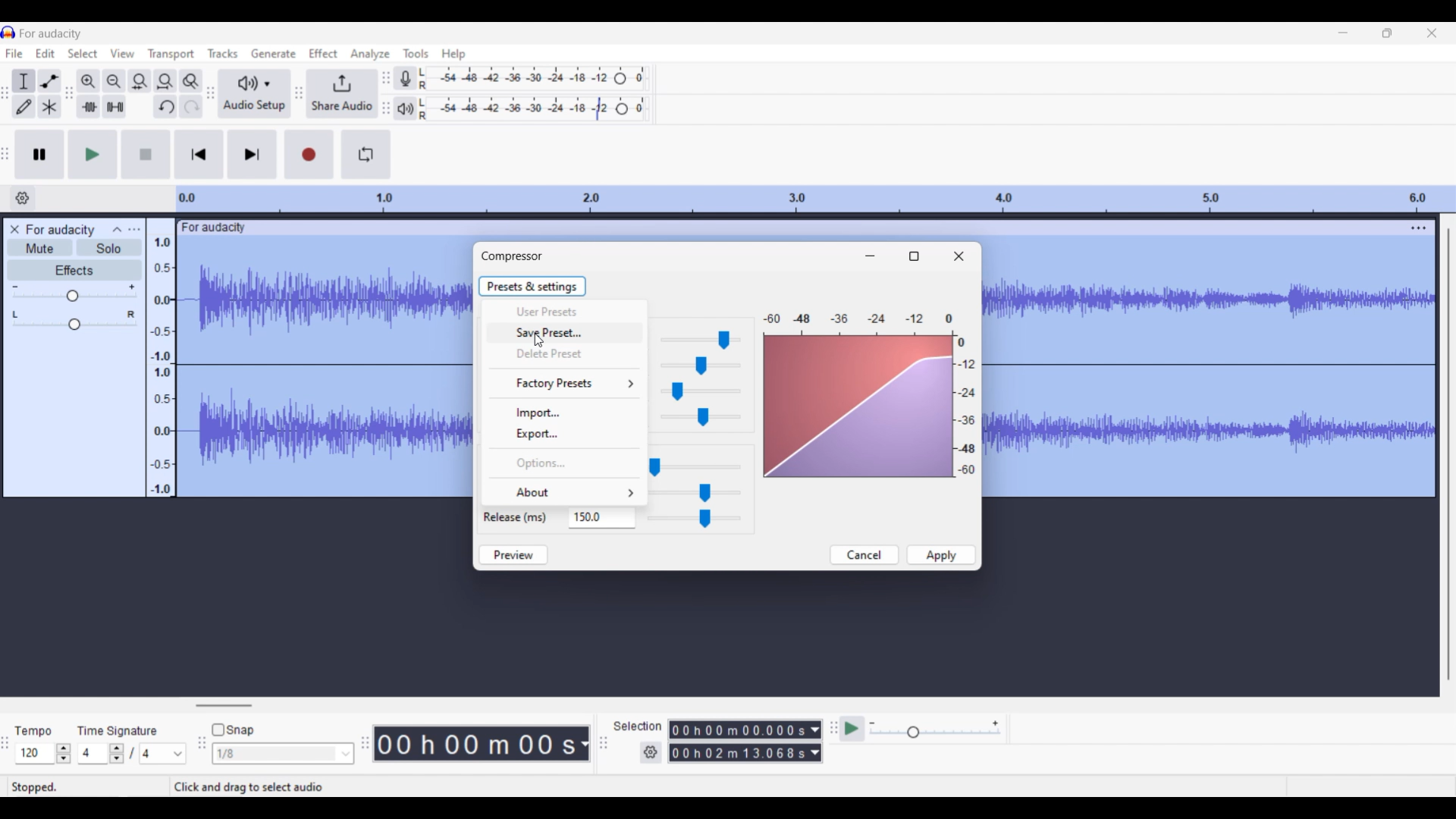 The image size is (1456, 819). I want to click on Record/Record new track, so click(309, 155).